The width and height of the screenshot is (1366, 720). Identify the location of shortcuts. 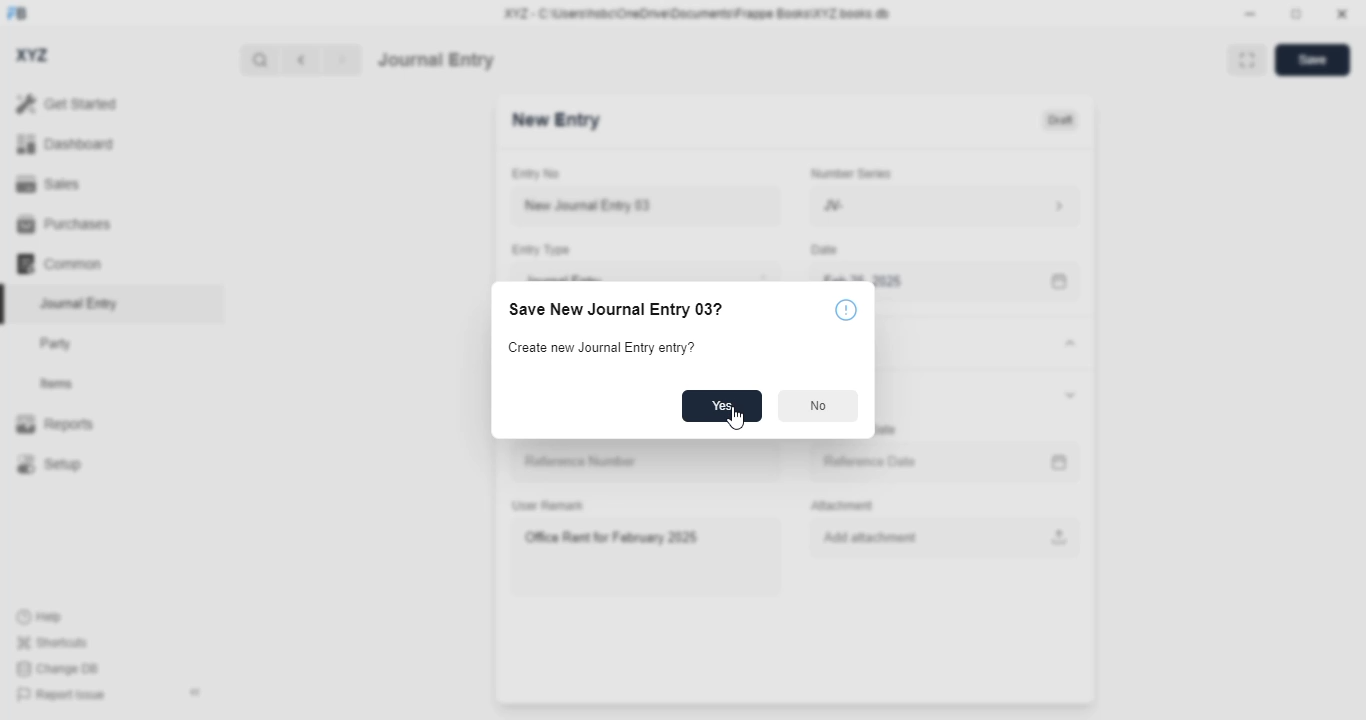
(51, 642).